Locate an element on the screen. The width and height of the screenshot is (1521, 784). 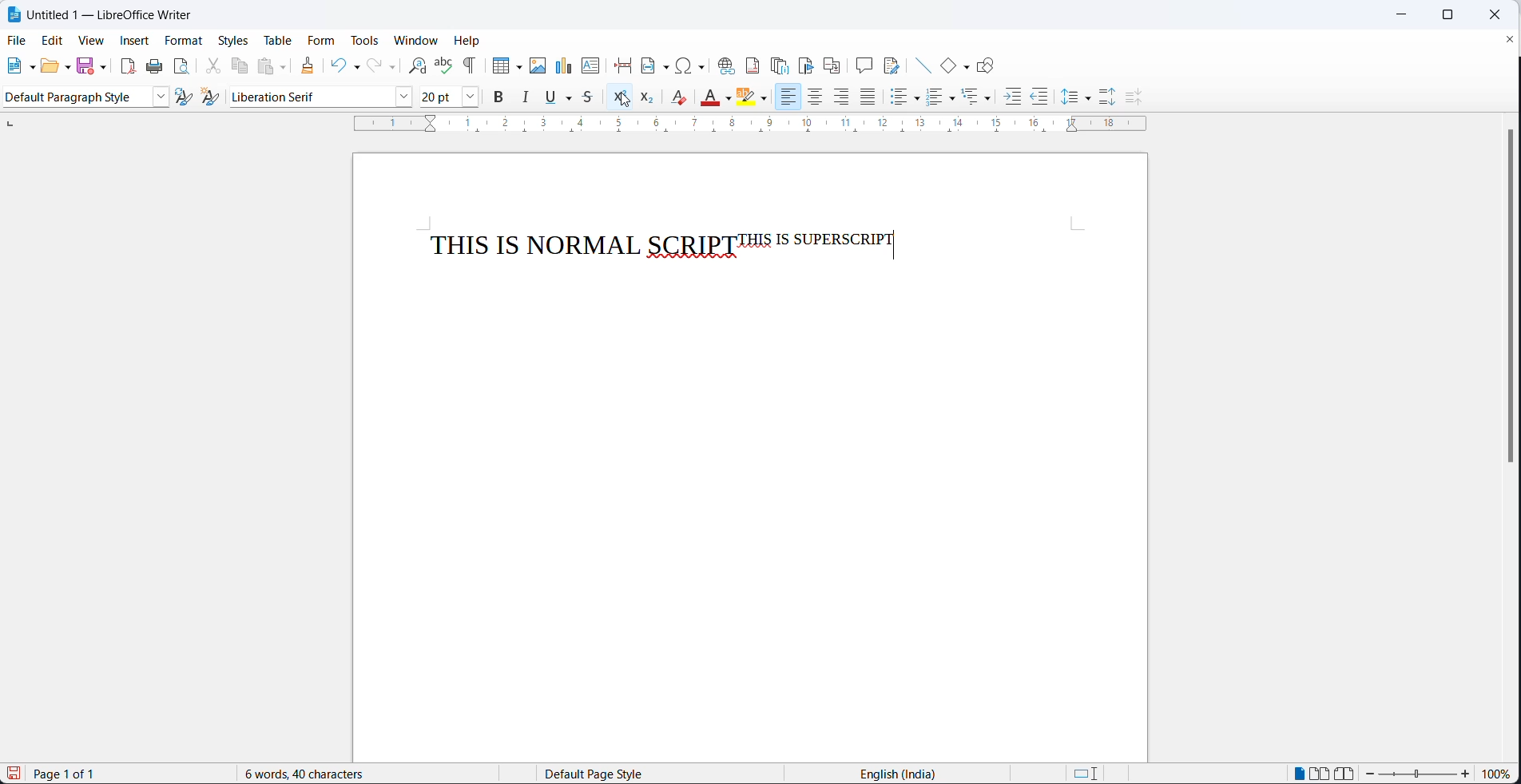
window is located at coordinates (417, 39).